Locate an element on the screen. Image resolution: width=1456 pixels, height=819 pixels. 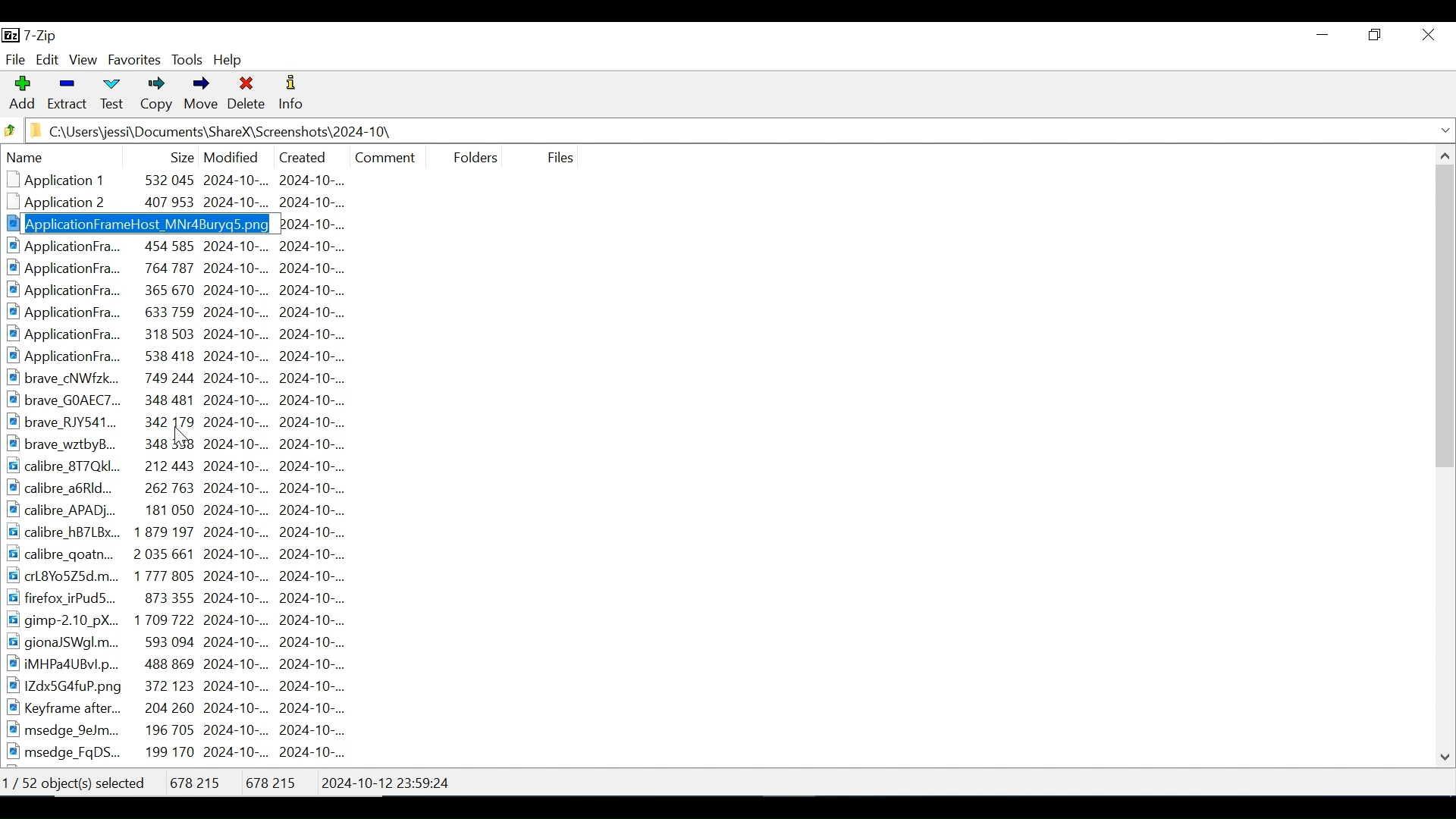
Minimize is located at coordinates (1323, 34).